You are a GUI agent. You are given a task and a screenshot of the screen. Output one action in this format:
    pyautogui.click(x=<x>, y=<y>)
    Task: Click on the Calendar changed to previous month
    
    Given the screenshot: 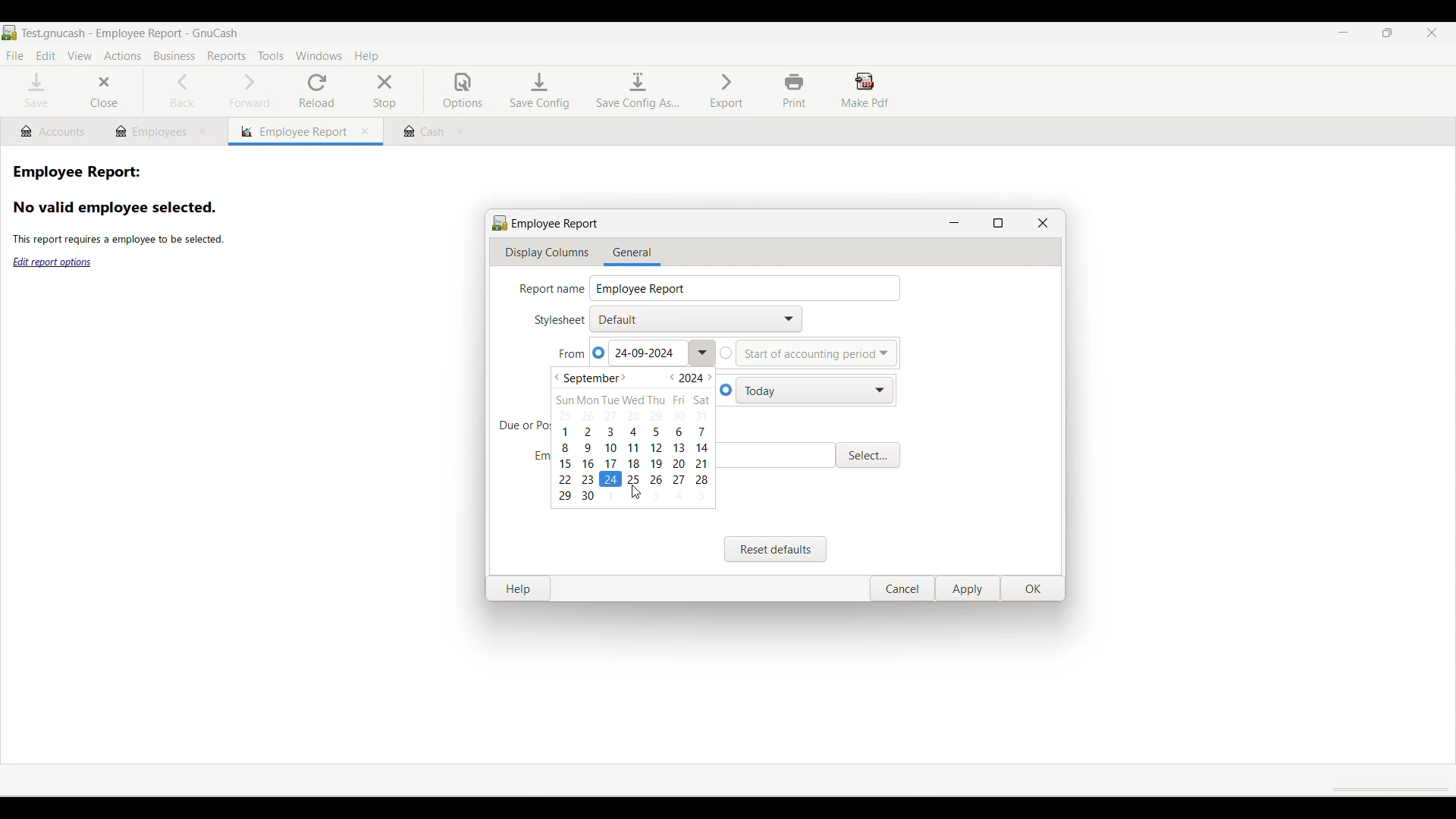 What is the action you would take?
    pyautogui.click(x=632, y=437)
    